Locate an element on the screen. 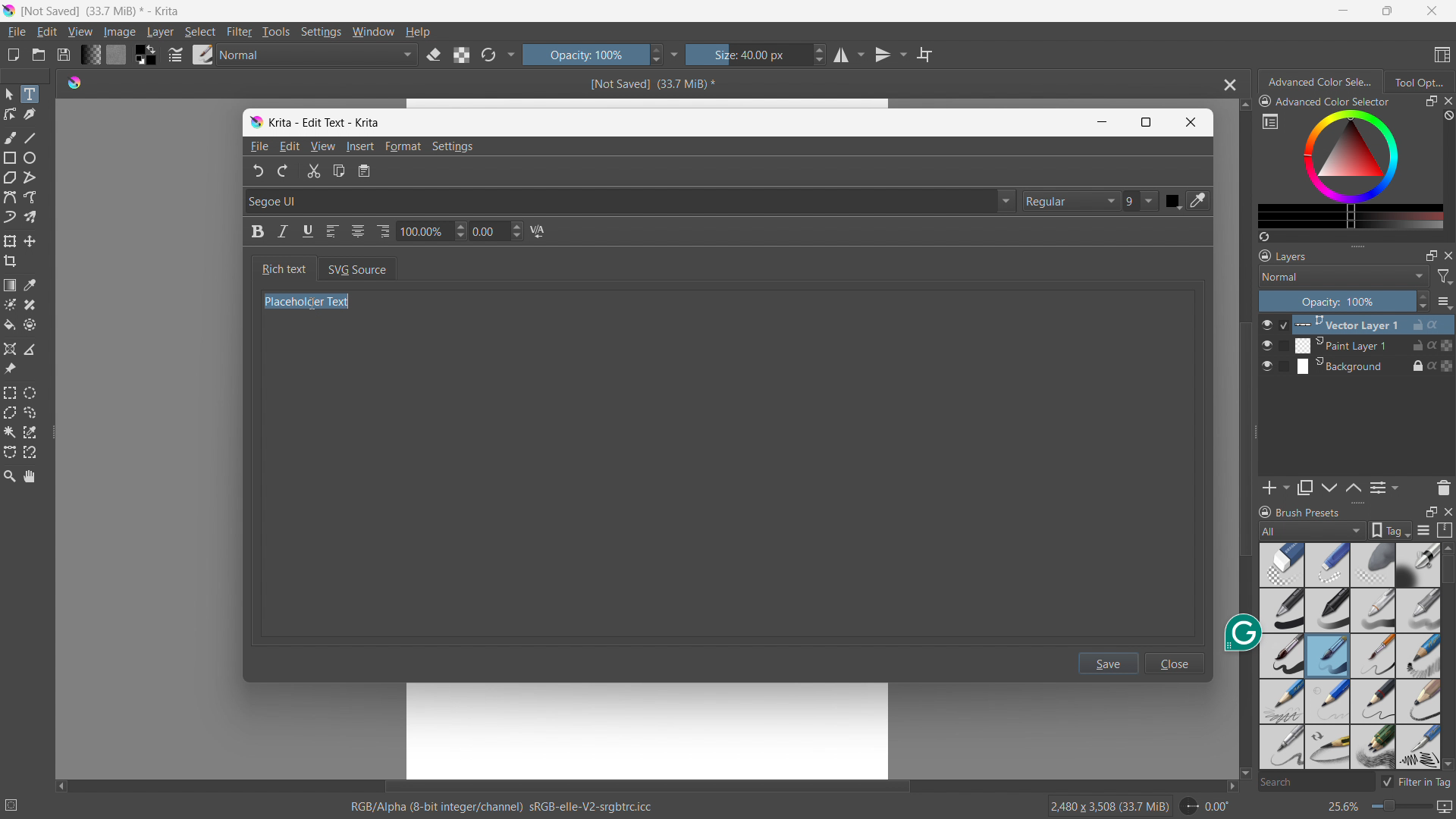 The height and width of the screenshot is (819, 1456). Minimize is located at coordinates (1099, 122).